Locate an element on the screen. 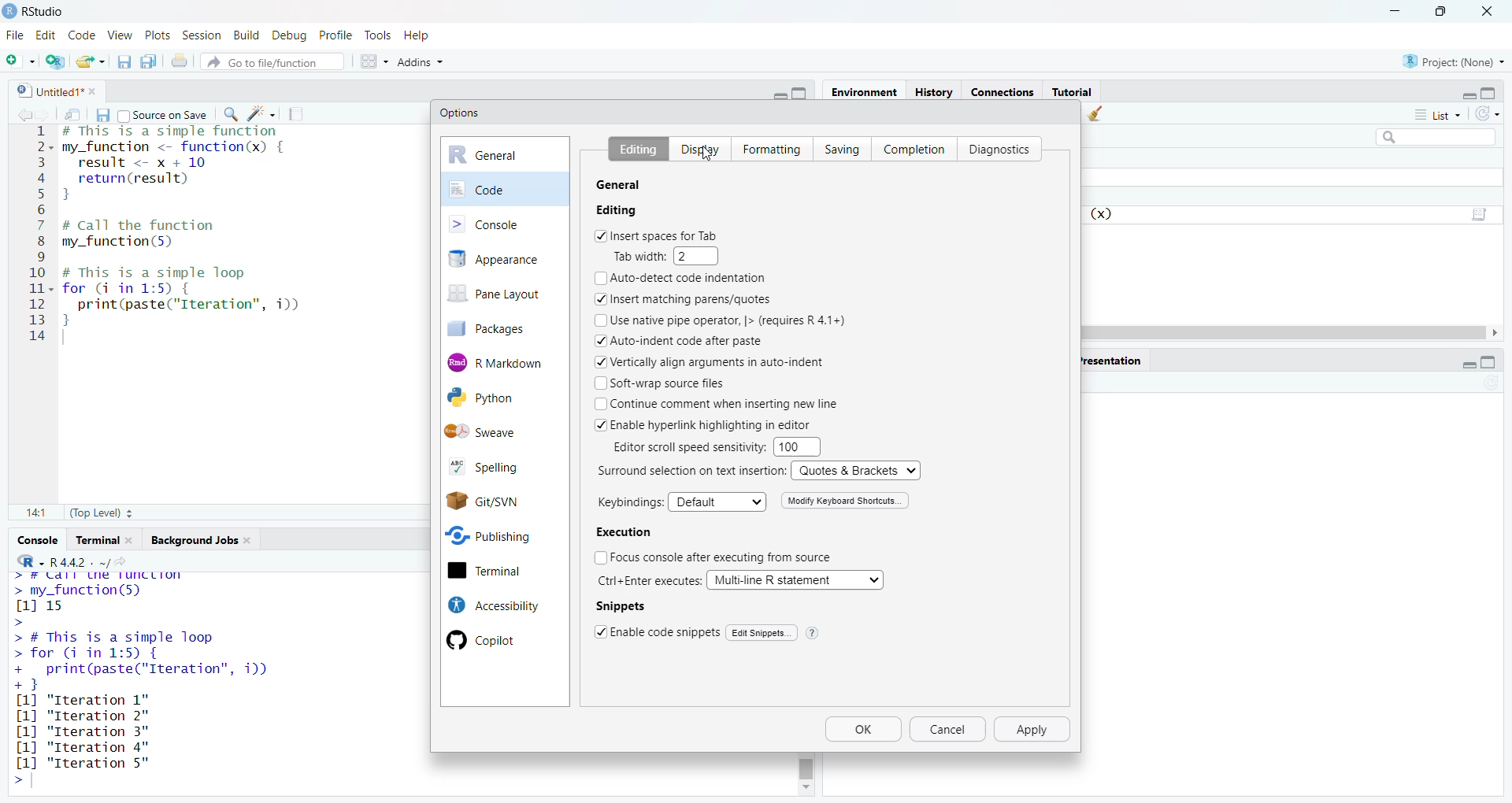  [1] "Iteration 5" is located at coordinates (80, 763).